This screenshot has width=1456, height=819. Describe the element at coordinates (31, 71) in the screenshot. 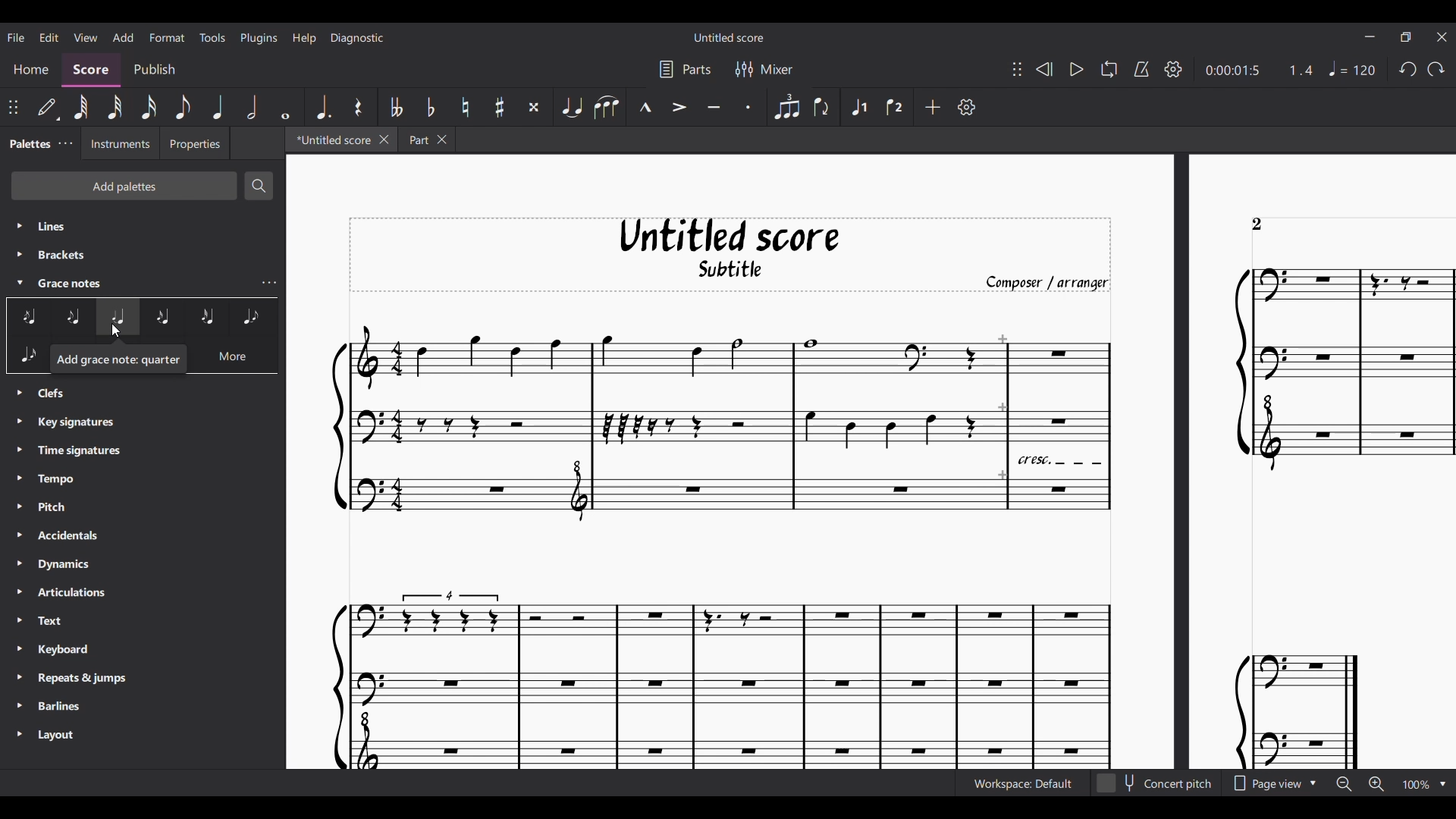

I see `Home section` at that location.